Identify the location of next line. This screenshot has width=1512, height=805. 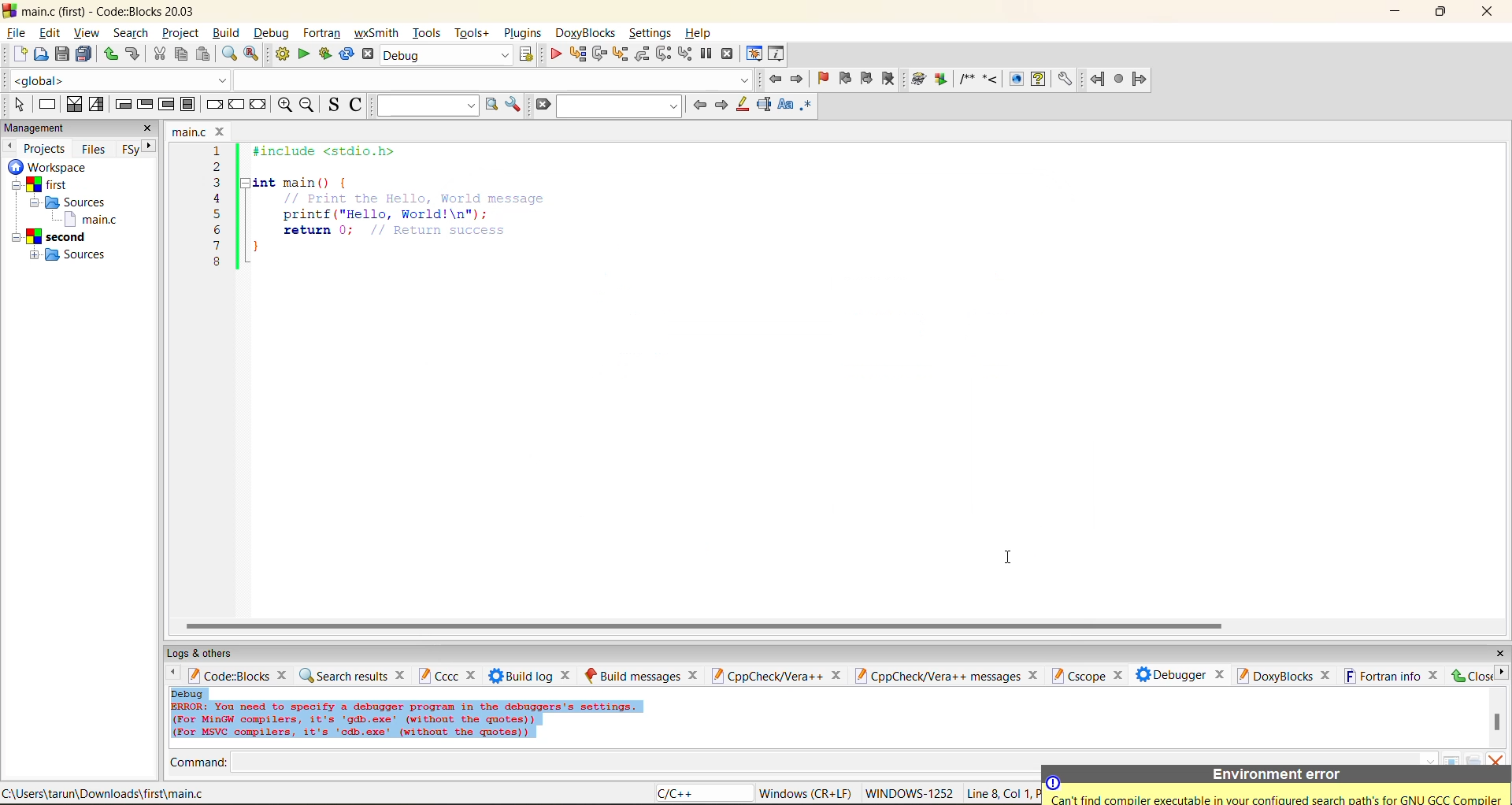
(598, 54).